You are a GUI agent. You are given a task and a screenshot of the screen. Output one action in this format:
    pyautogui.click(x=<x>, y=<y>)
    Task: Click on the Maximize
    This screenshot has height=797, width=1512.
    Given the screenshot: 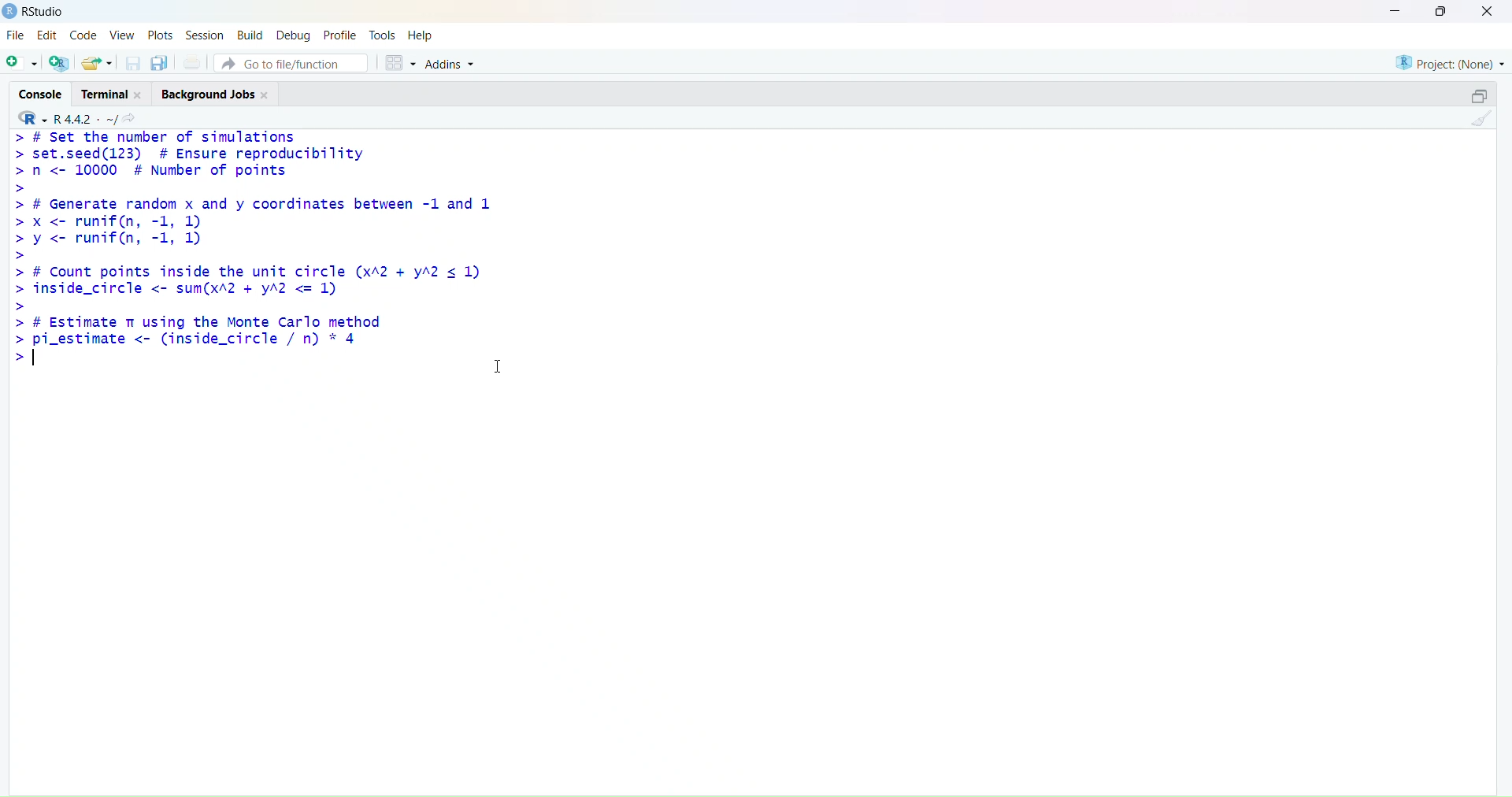 What is the action you would take?
    pyautogui.click(x=1443, y=14)
    